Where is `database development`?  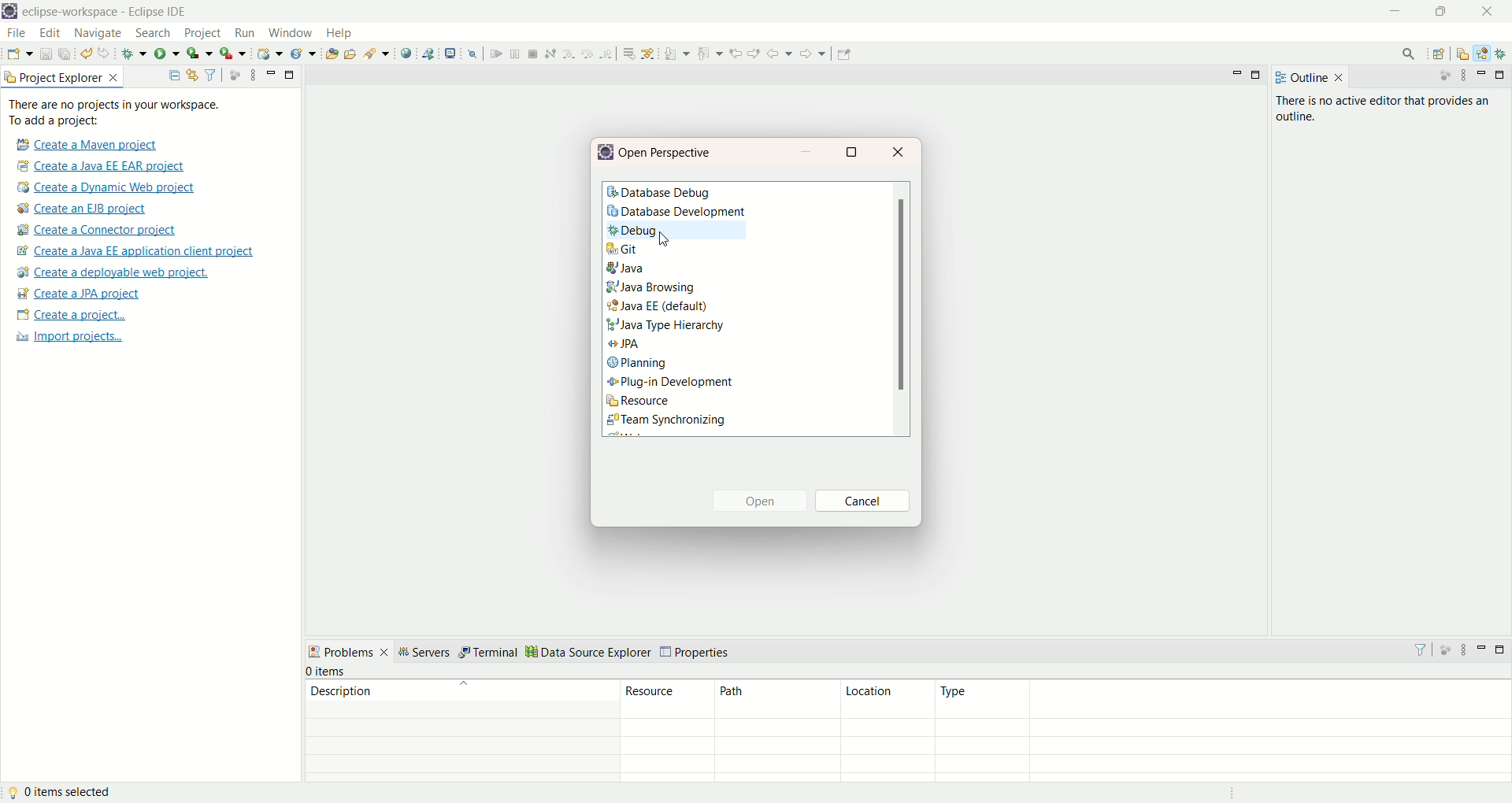 database development is located at coordinates (682, 214).